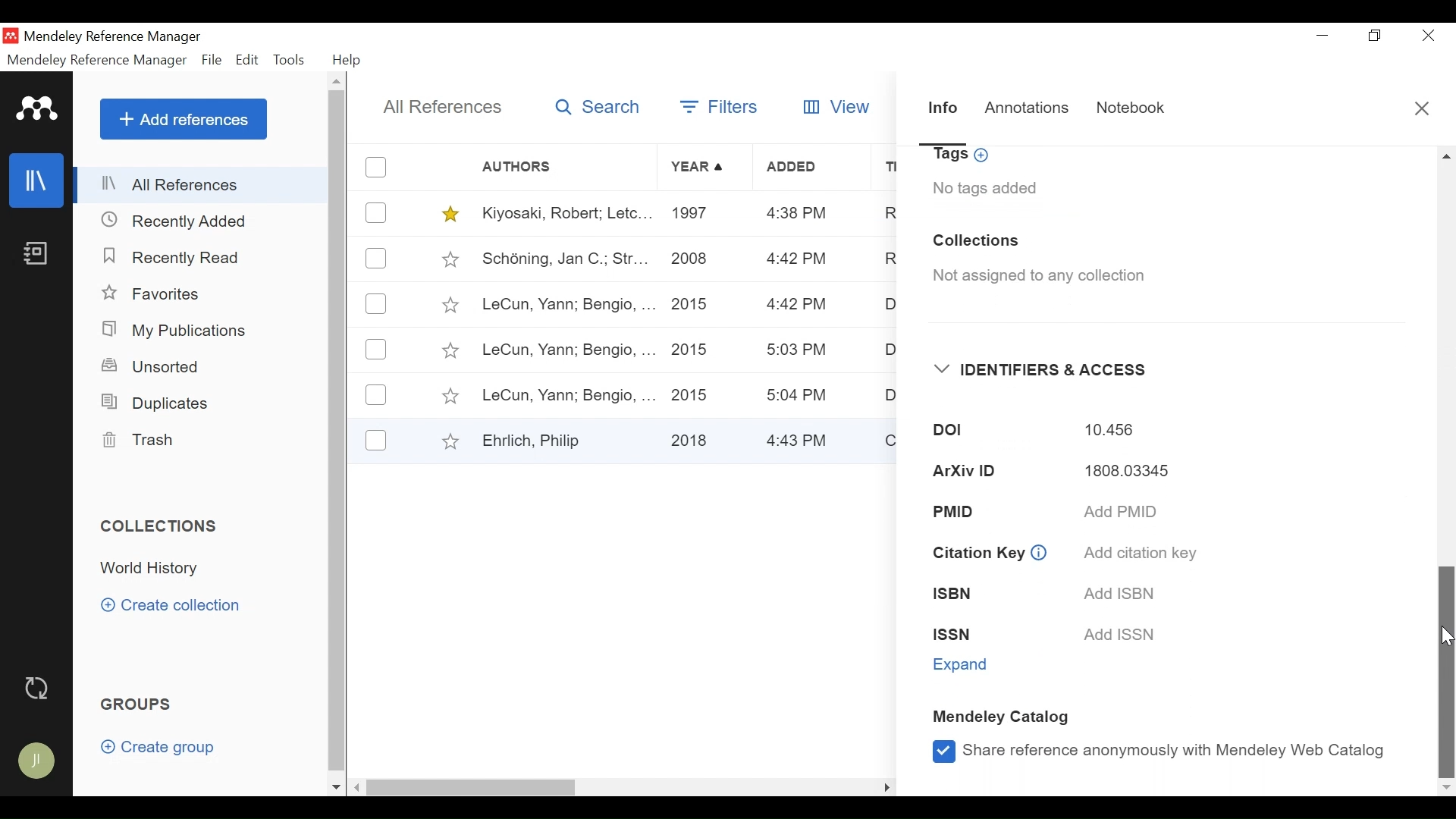 The image size is (1456, 819). What do you see at coordinates (438, 106) in the screenshot?
I see `All References` at bounding box center [438, 106].